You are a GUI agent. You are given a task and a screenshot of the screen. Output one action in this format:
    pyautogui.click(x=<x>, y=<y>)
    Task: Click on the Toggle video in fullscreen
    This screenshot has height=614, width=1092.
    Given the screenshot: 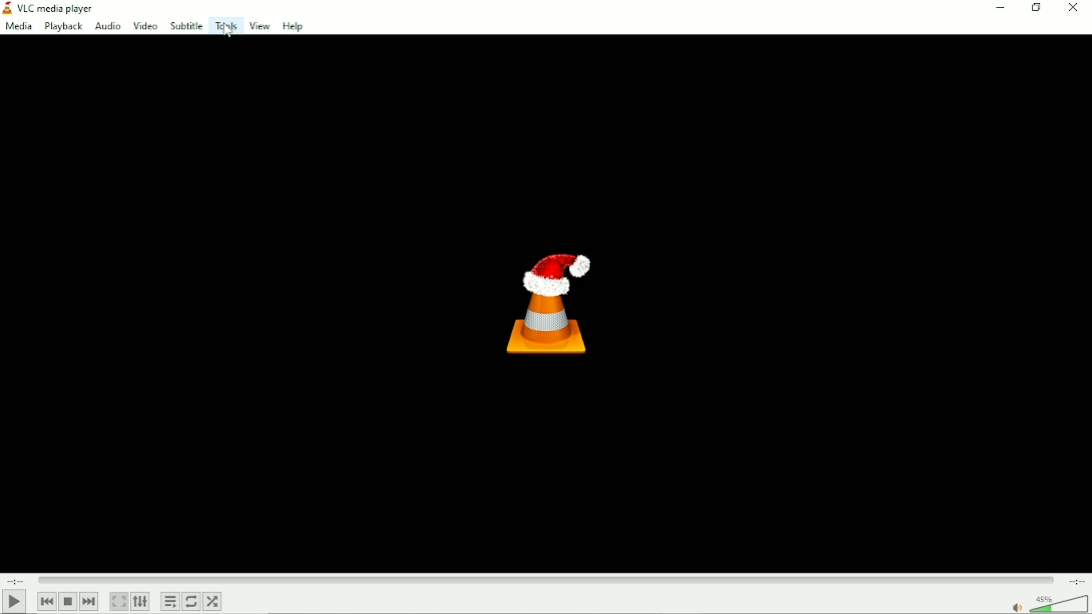 What is the action you would take?
    pyautogui.click(x=119, y=601)
    